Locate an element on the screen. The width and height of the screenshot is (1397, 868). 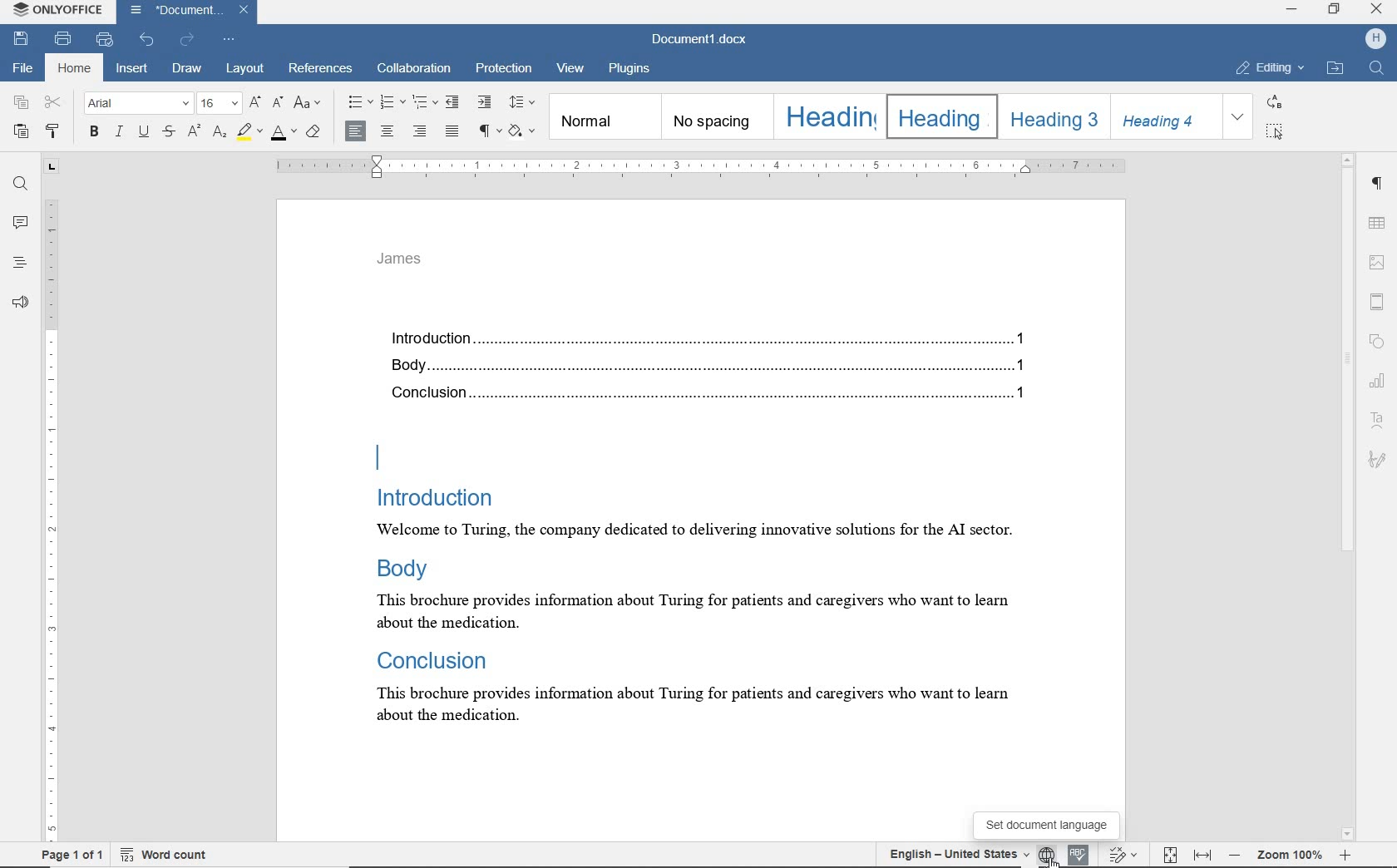
numbering is located at coordinates (393, 102).